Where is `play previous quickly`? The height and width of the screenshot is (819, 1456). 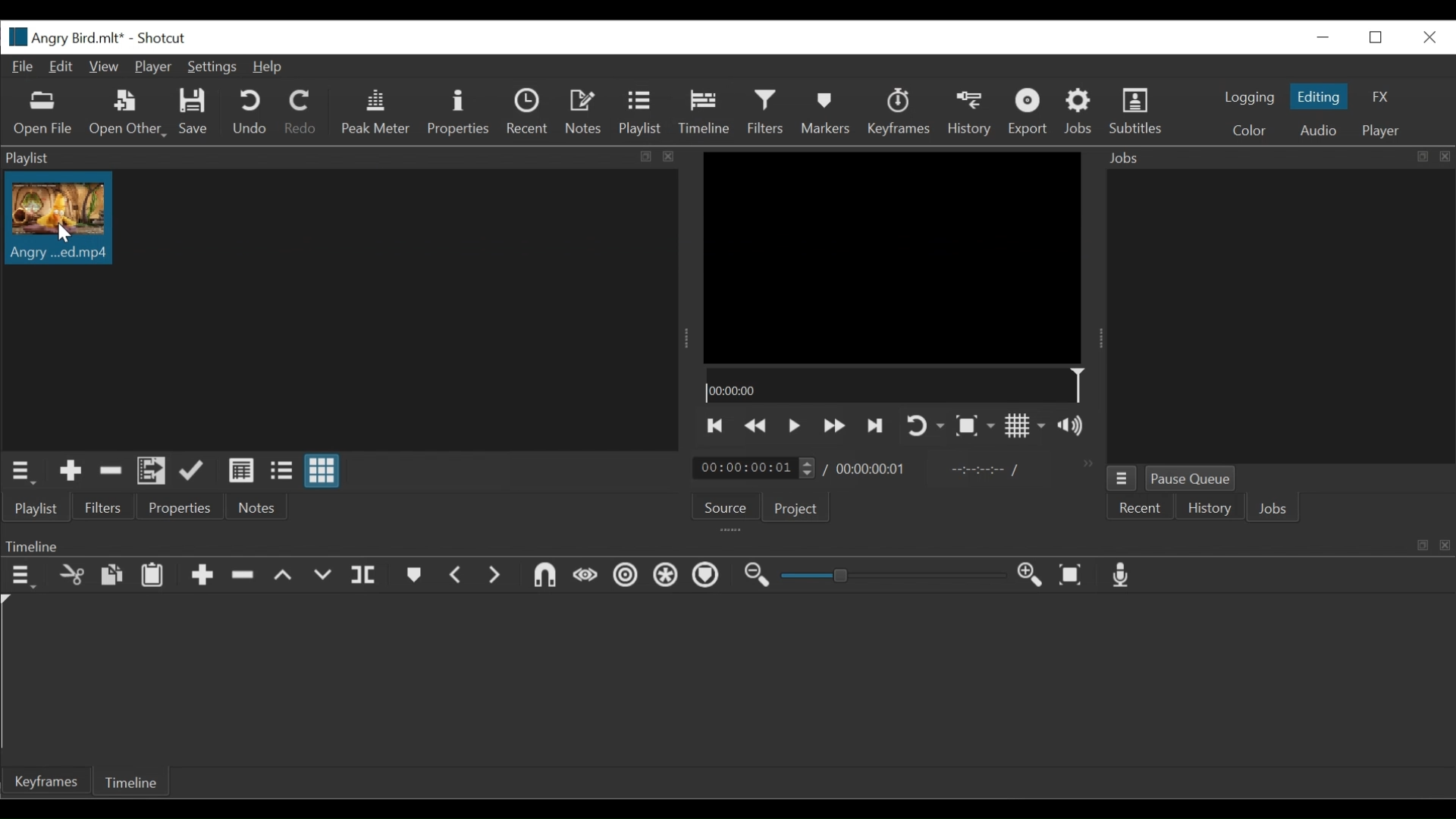
play previous quickly is located at coordinates (757, 425).